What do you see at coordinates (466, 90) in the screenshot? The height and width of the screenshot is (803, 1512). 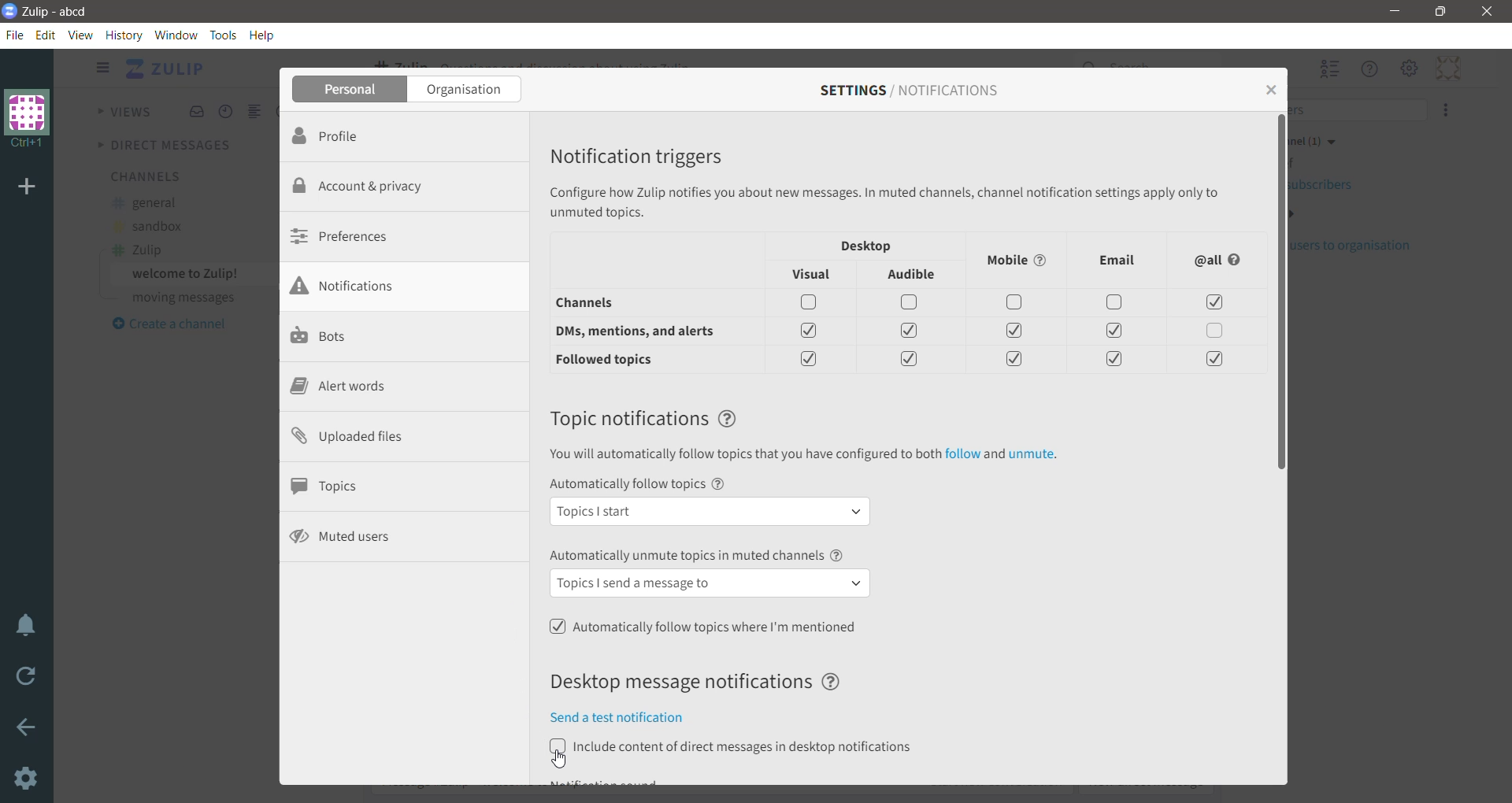 I see `Organisation` at bounding box center [466, 90].